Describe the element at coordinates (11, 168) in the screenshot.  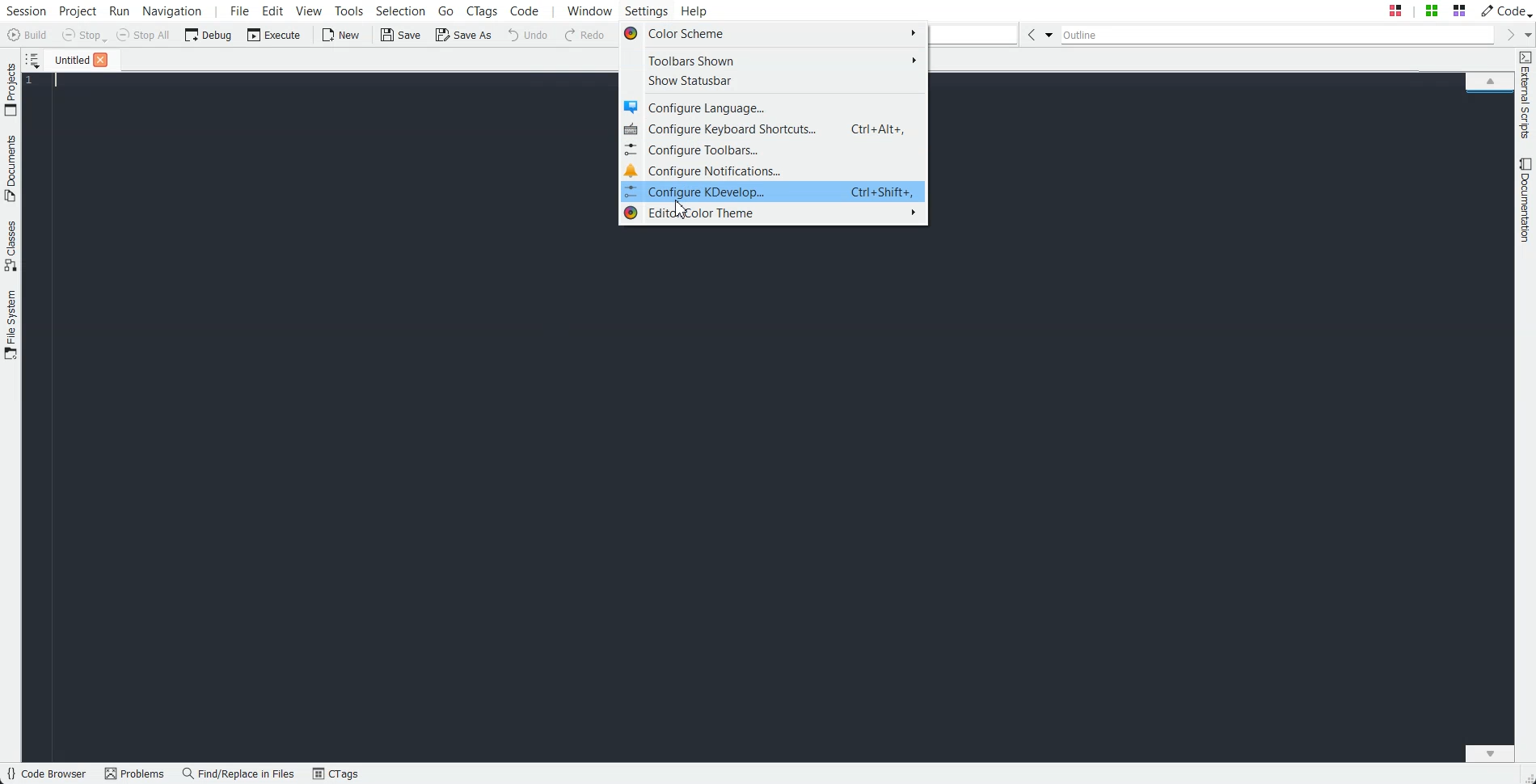
I see `Documents` at that location.